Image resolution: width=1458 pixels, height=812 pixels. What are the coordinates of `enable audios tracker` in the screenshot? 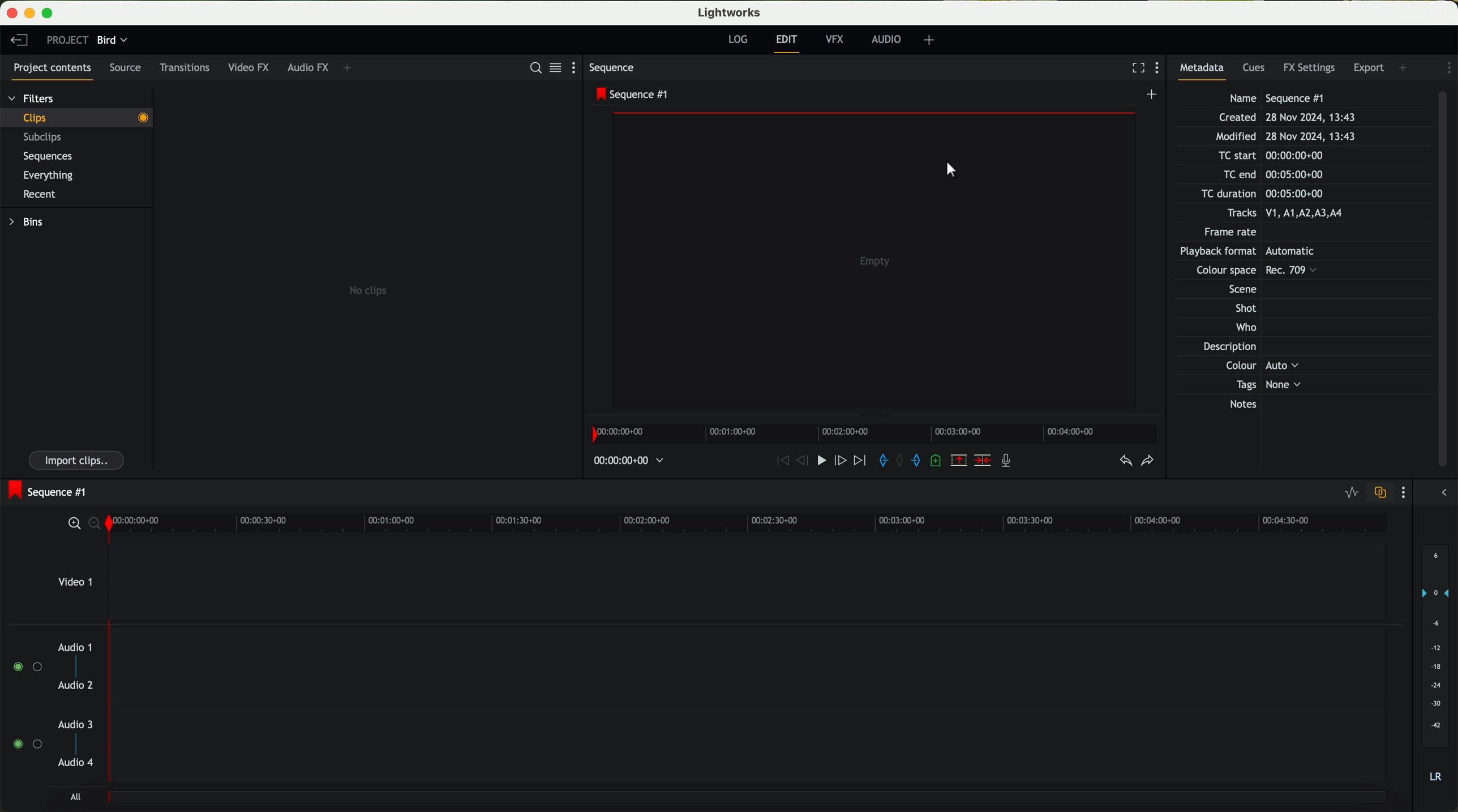 It's located at (27, 704).